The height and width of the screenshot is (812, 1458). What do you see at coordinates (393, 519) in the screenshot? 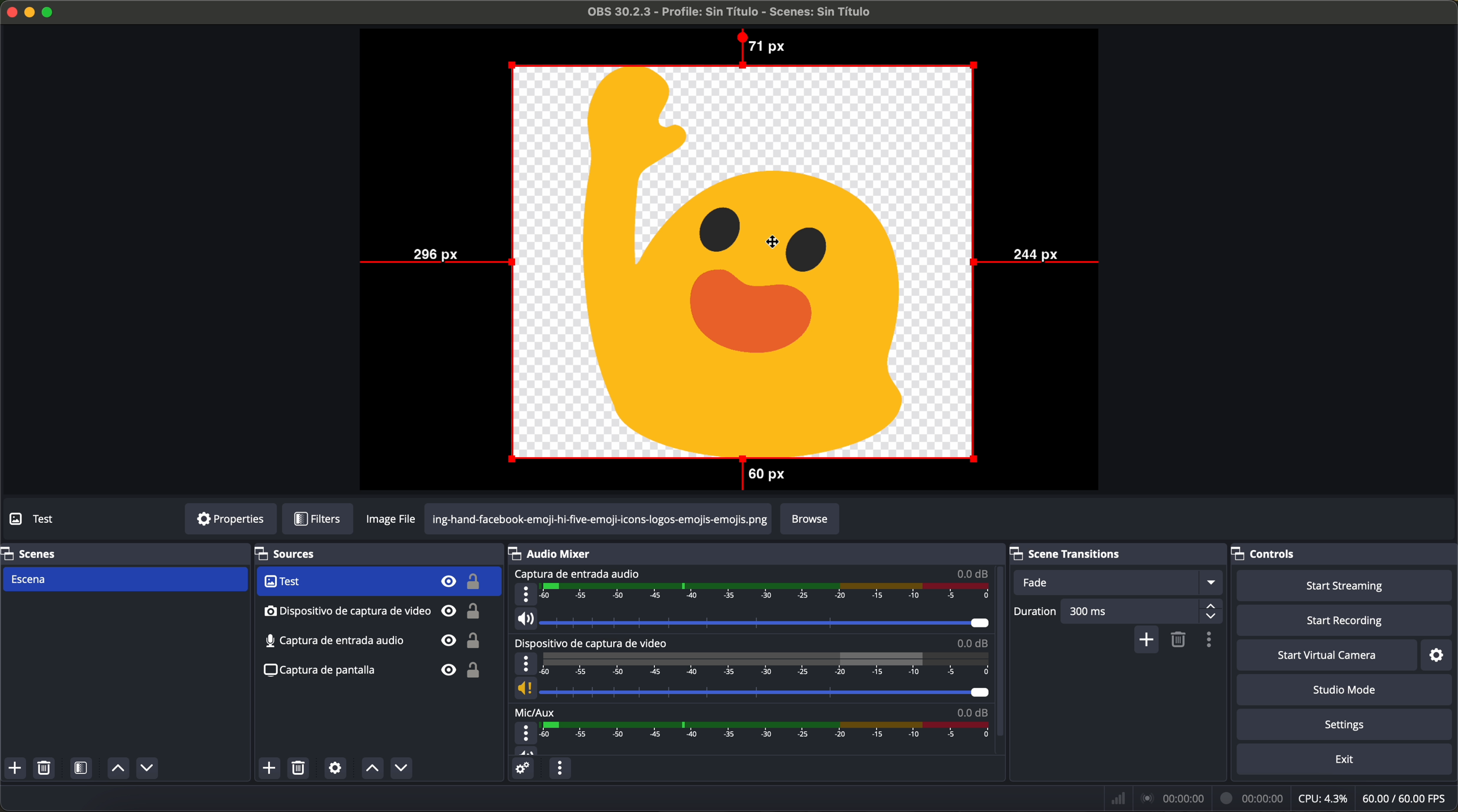
I see `image file` at bounding box center [393, 519].